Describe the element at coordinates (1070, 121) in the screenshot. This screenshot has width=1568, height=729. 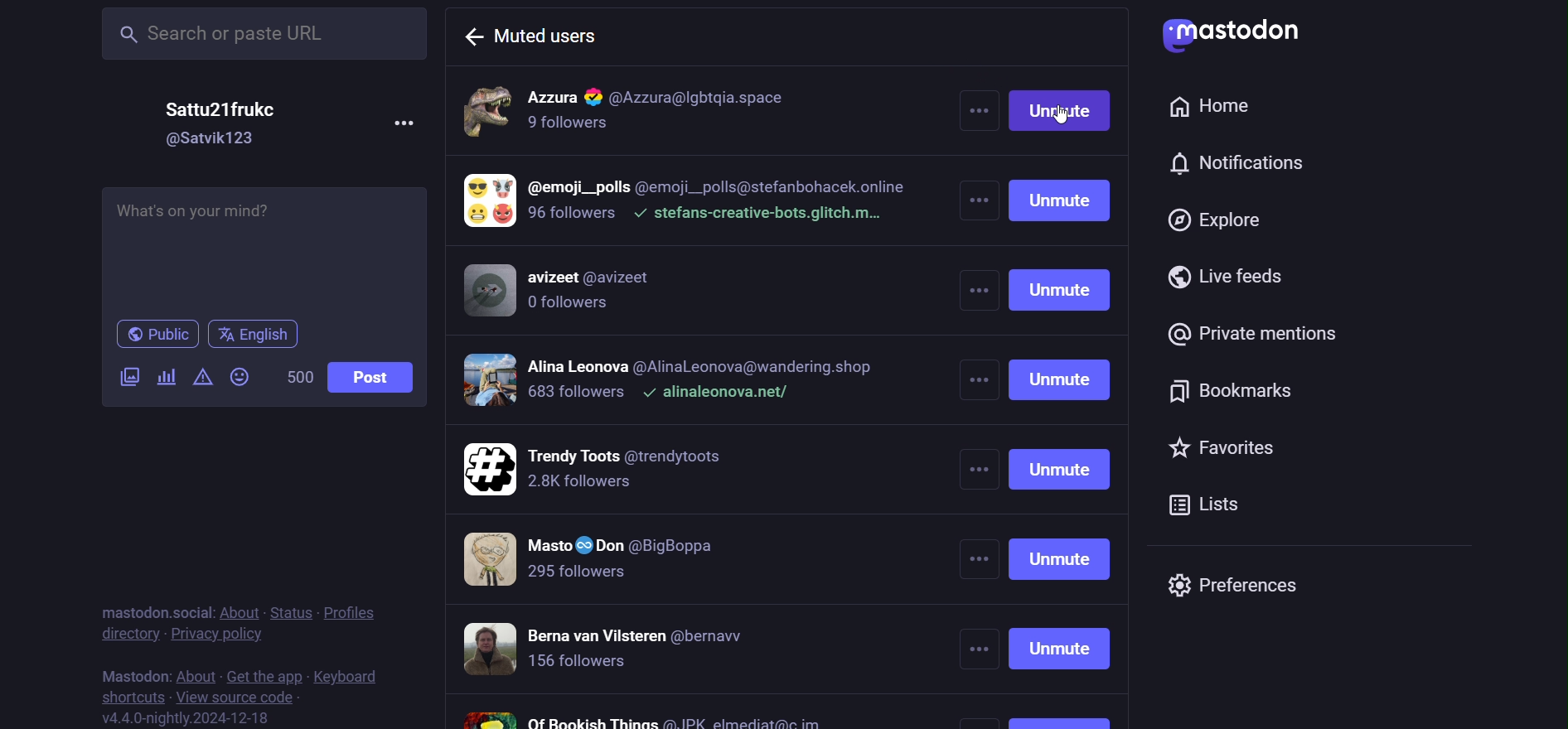
I see `cursor` at that location.